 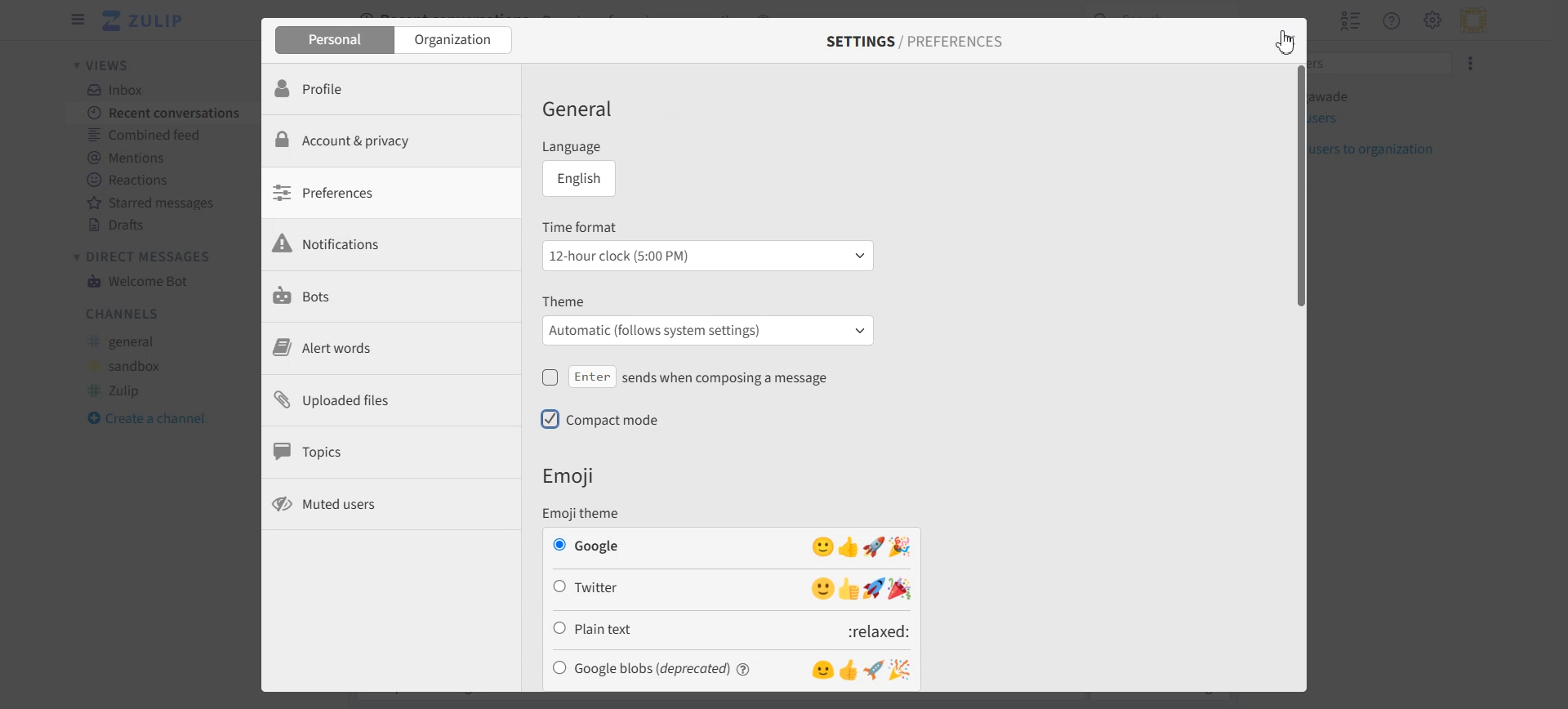 I want to click on Google blobs (deprecated), so click(x=734, y=671).